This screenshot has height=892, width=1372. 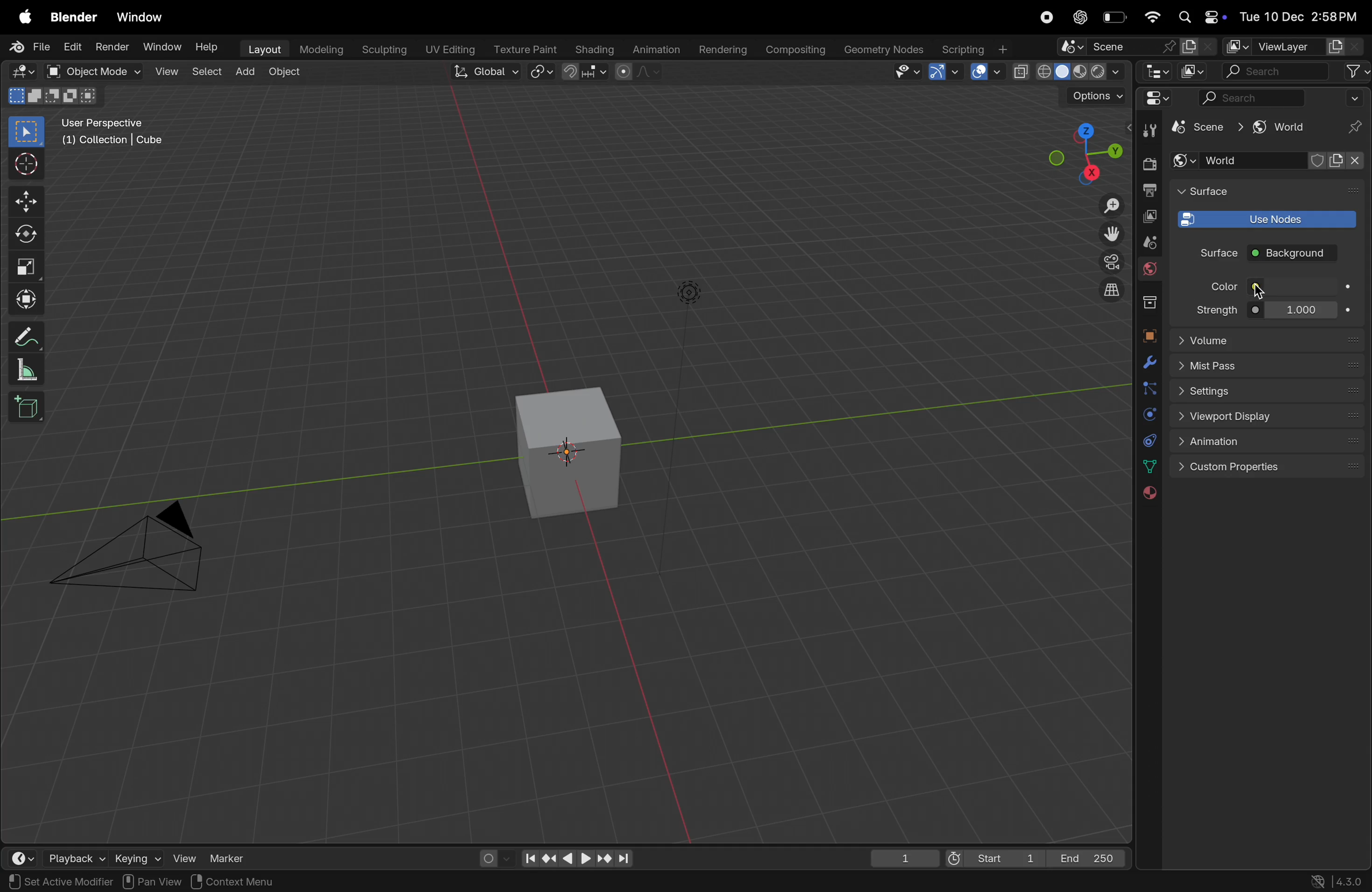 What do you see at coordinates (991, 855) in the screenshot?
I see `start` at bounding box center [991, 855].